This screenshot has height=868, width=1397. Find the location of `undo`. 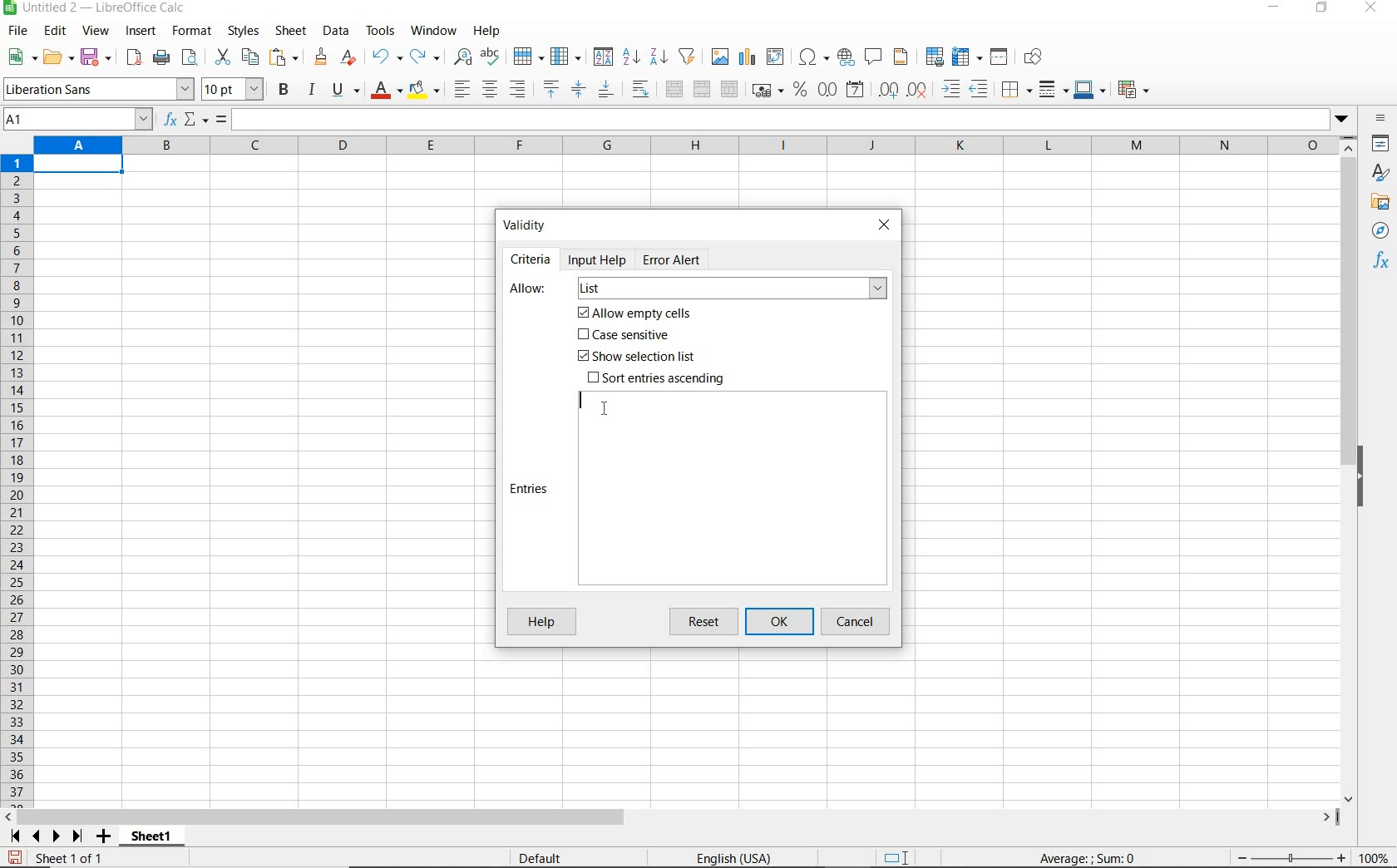

undo is located at coordinates (386, 57).